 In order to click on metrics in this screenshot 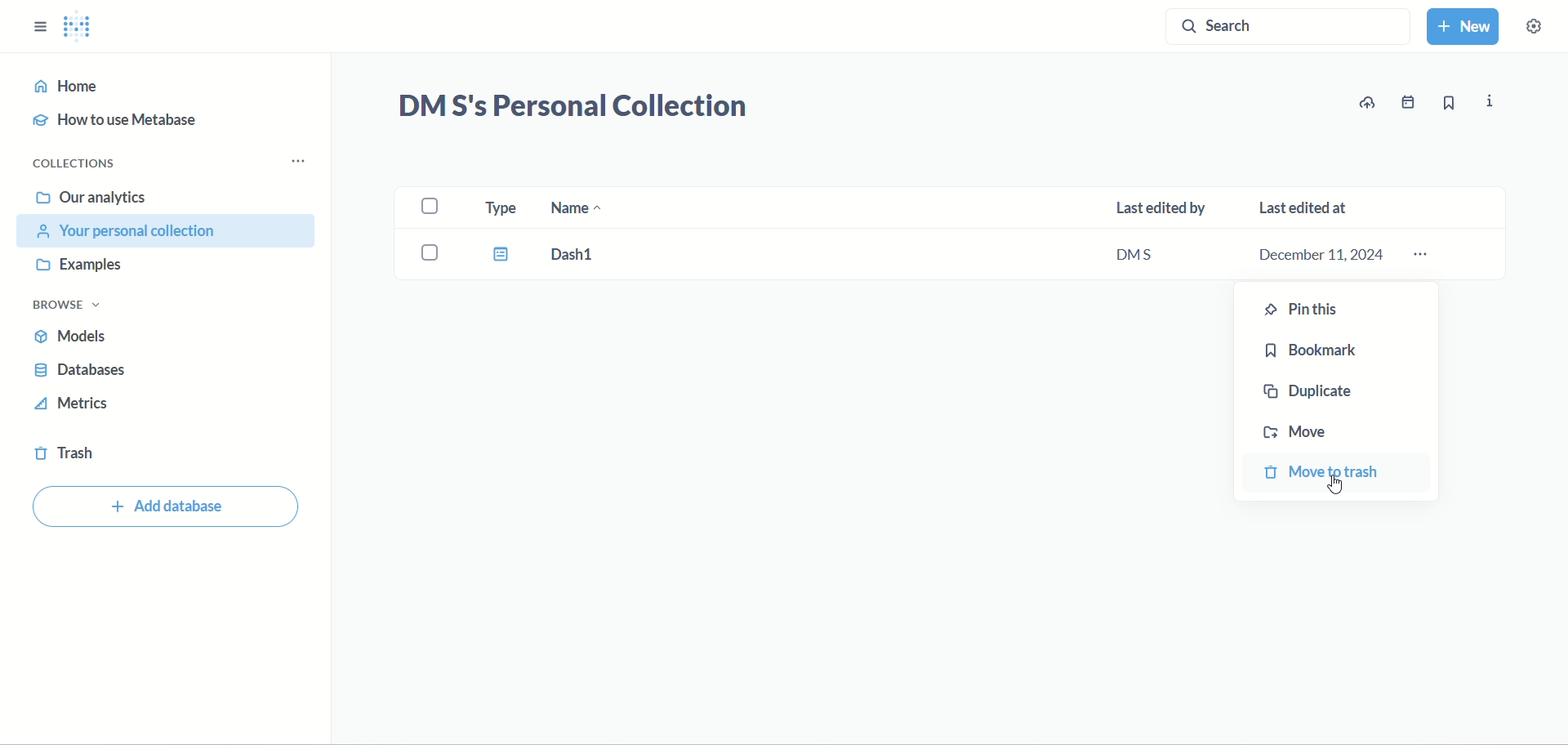, I will do `click(74, 407)`.